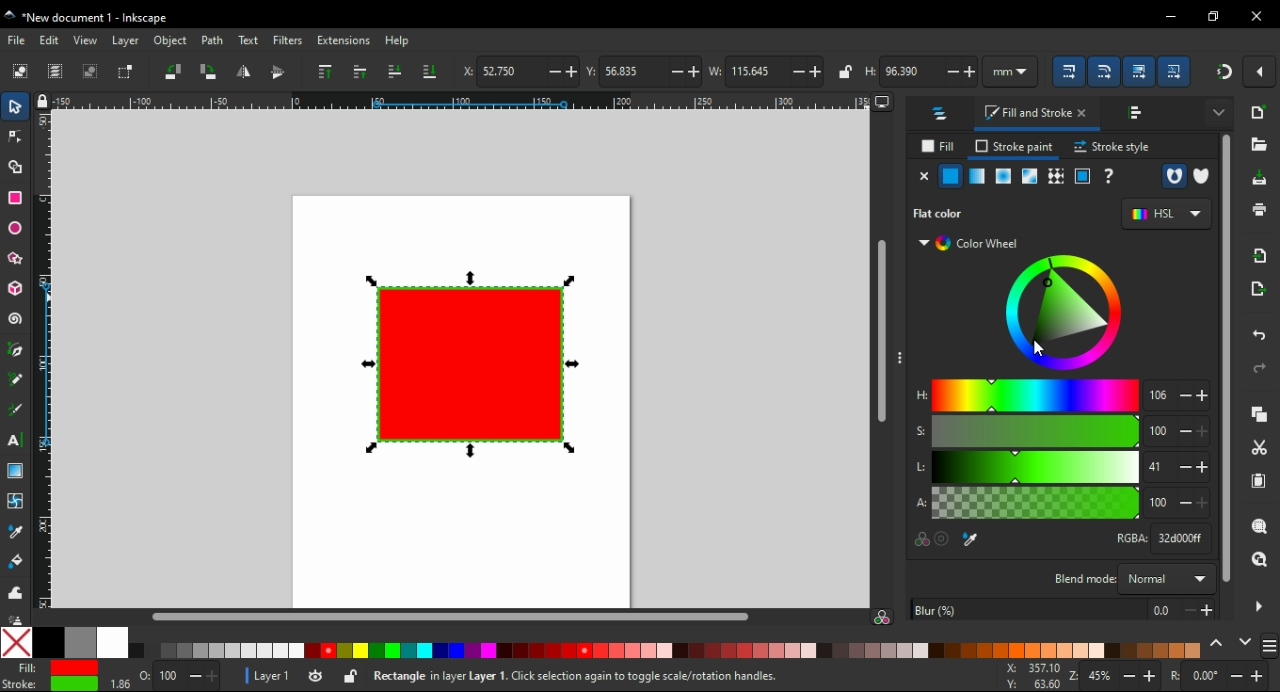 The image size is (1280, 692). Describe the element at coordinates (1172, 675) in the screenshot. I see `rotation` at that location.